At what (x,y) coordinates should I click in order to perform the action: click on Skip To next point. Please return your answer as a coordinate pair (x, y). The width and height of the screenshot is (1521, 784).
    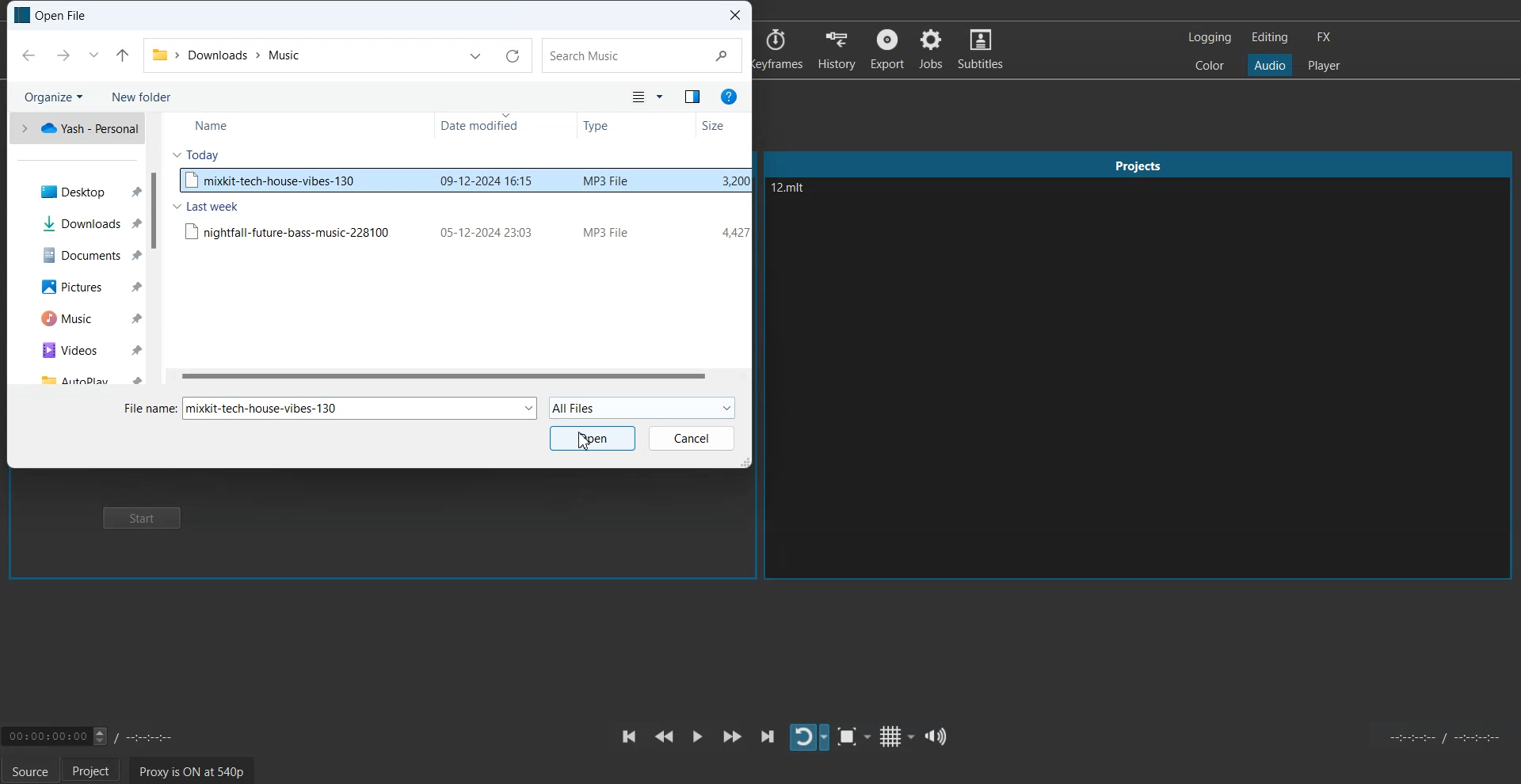
    Looking at the image, I should click on (768, 736).